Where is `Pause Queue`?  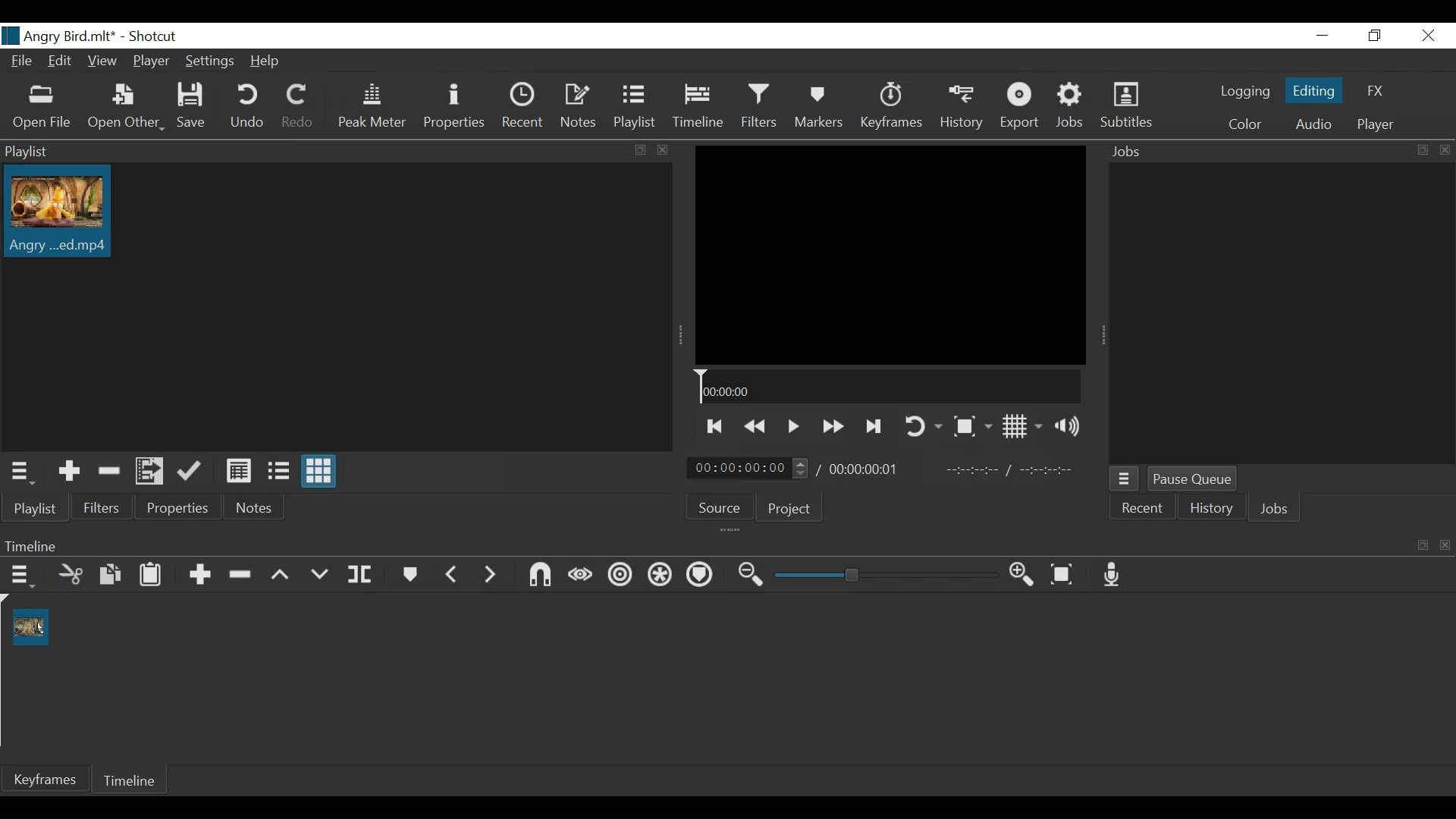
Pause Queue is located at coordinates (1193, 479).